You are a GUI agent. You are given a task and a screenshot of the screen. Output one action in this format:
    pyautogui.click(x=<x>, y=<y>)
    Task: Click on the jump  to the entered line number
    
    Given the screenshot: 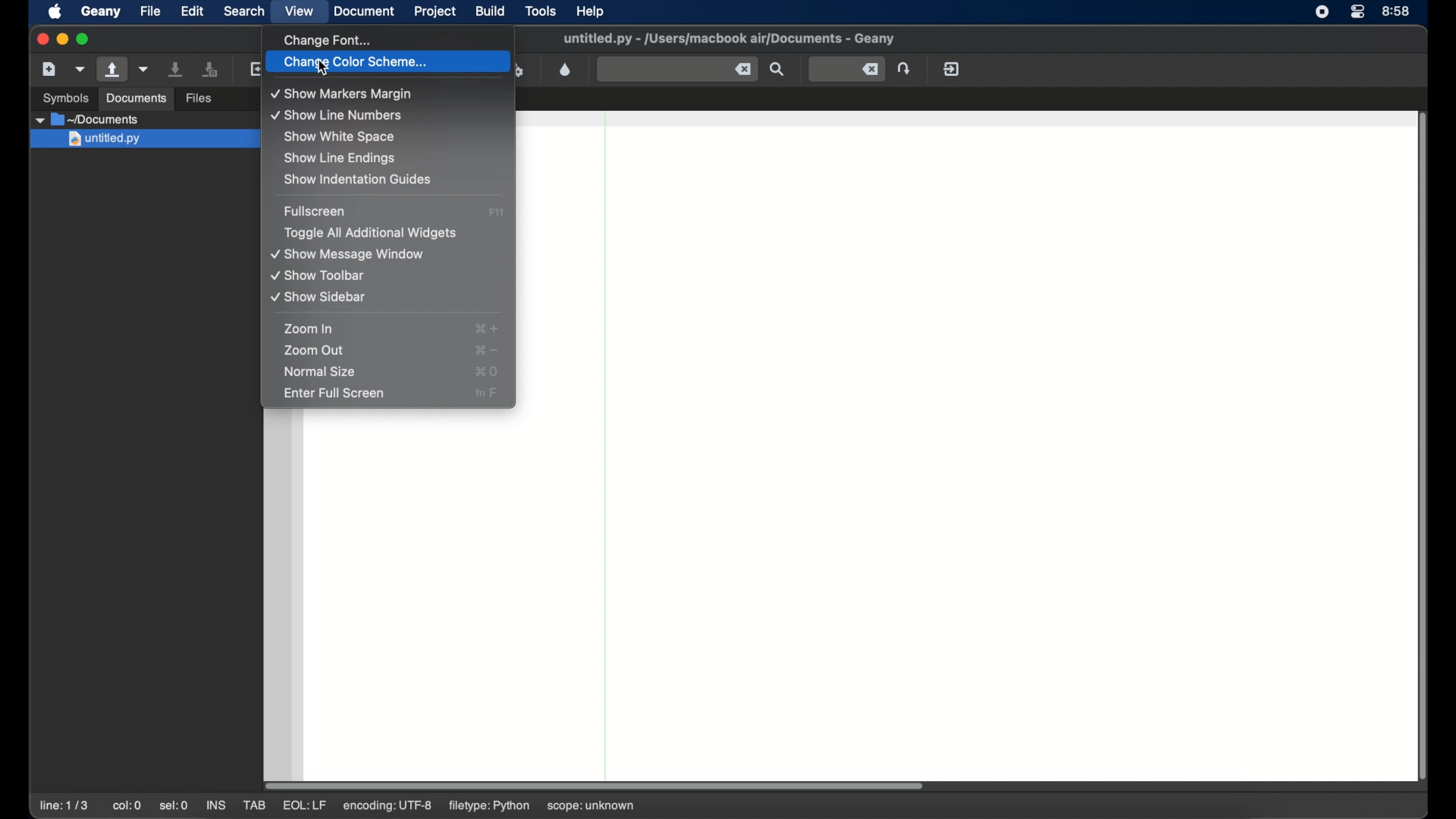 What is the action you would take?
    pyautogui.click(x=846, y=70)
    